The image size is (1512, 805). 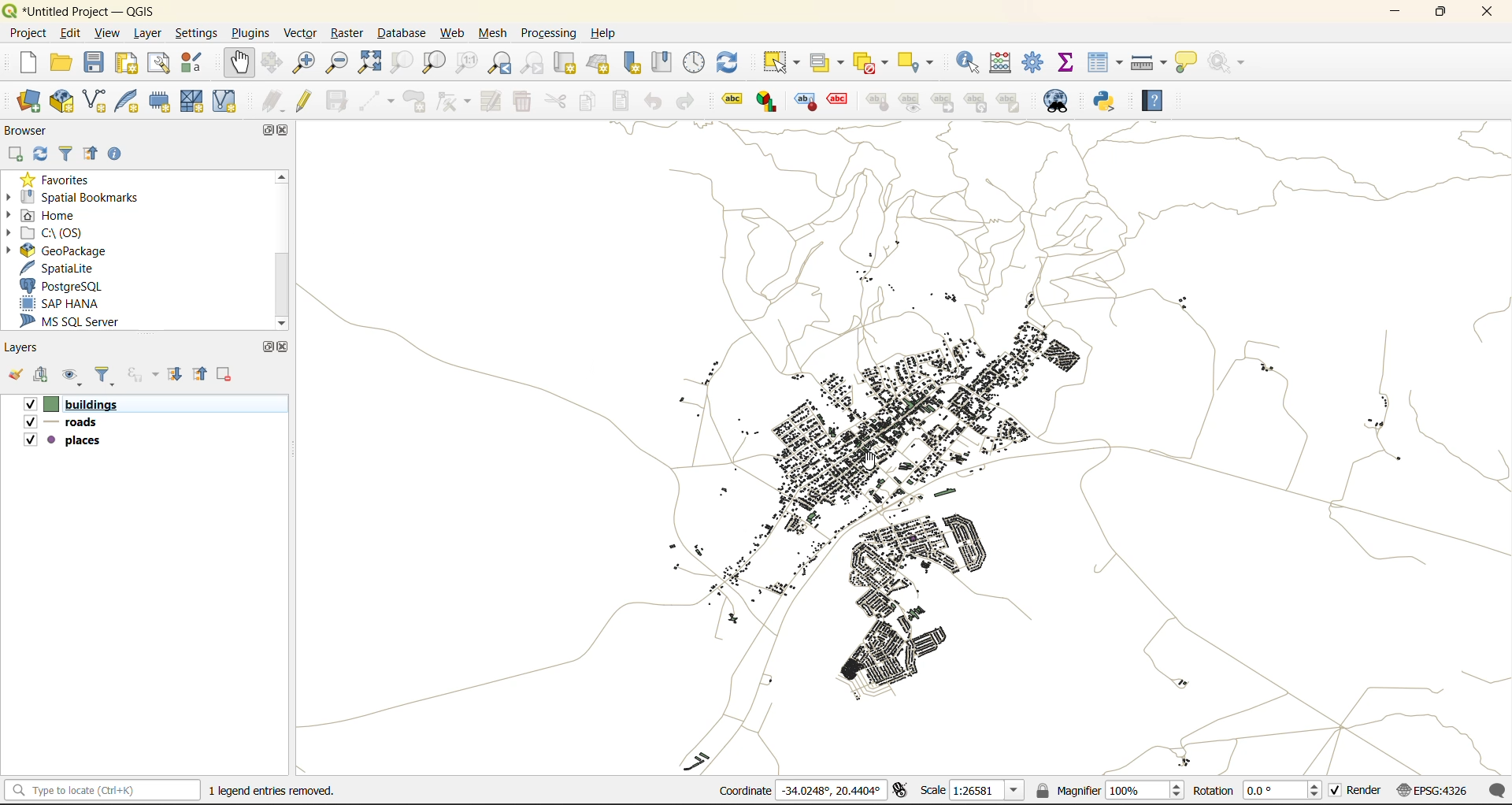 I want to click on maximize, so click(x=263, y=133).